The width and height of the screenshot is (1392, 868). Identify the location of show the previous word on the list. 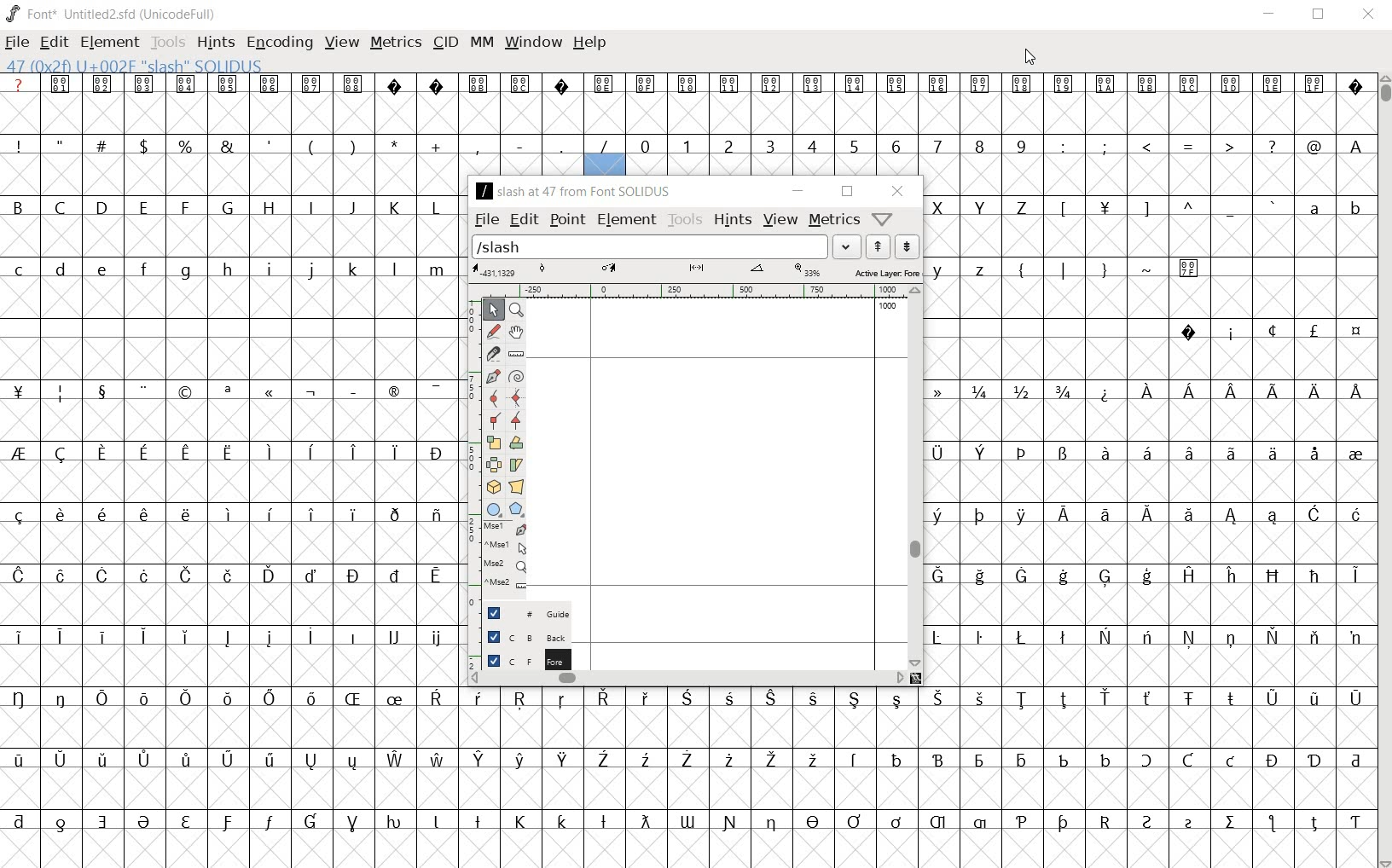
(908, 246).